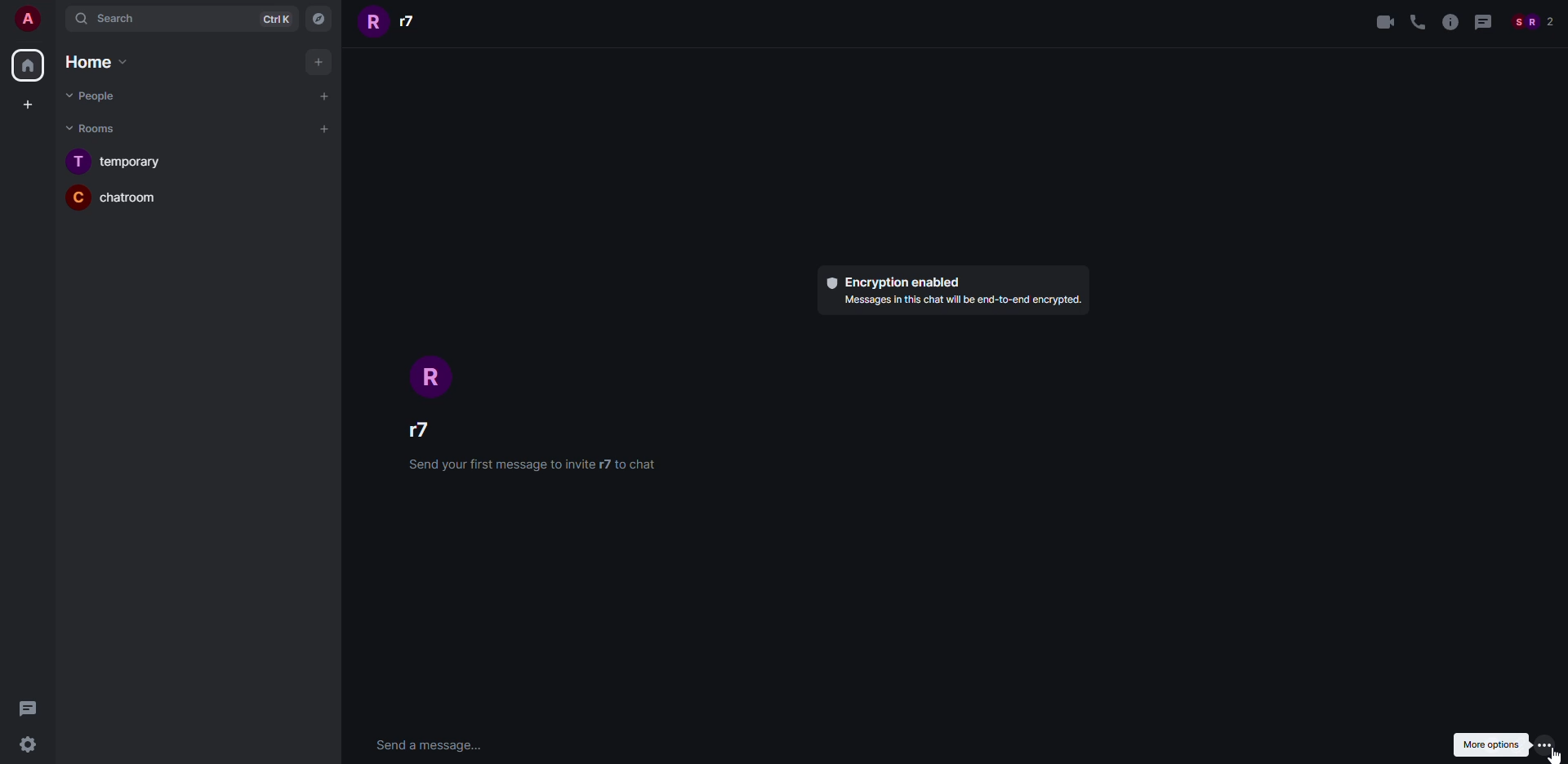 This screenshot has width=1568, height=764. Describe the element at coordinates (90, 95) in the screenshot. I see `Poeple` at that location.